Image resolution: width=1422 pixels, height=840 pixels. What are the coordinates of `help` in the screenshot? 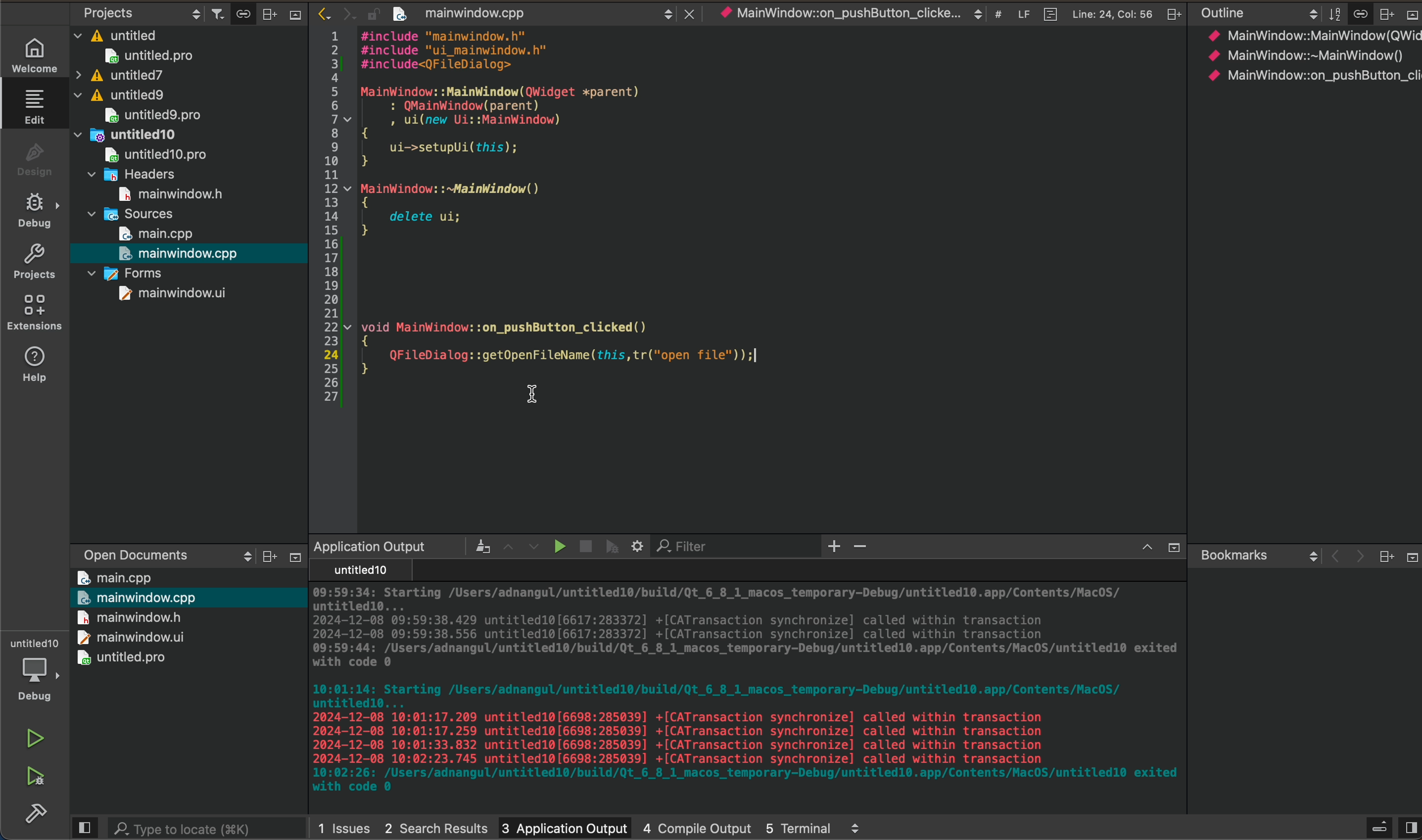 It's located at (33, 368).